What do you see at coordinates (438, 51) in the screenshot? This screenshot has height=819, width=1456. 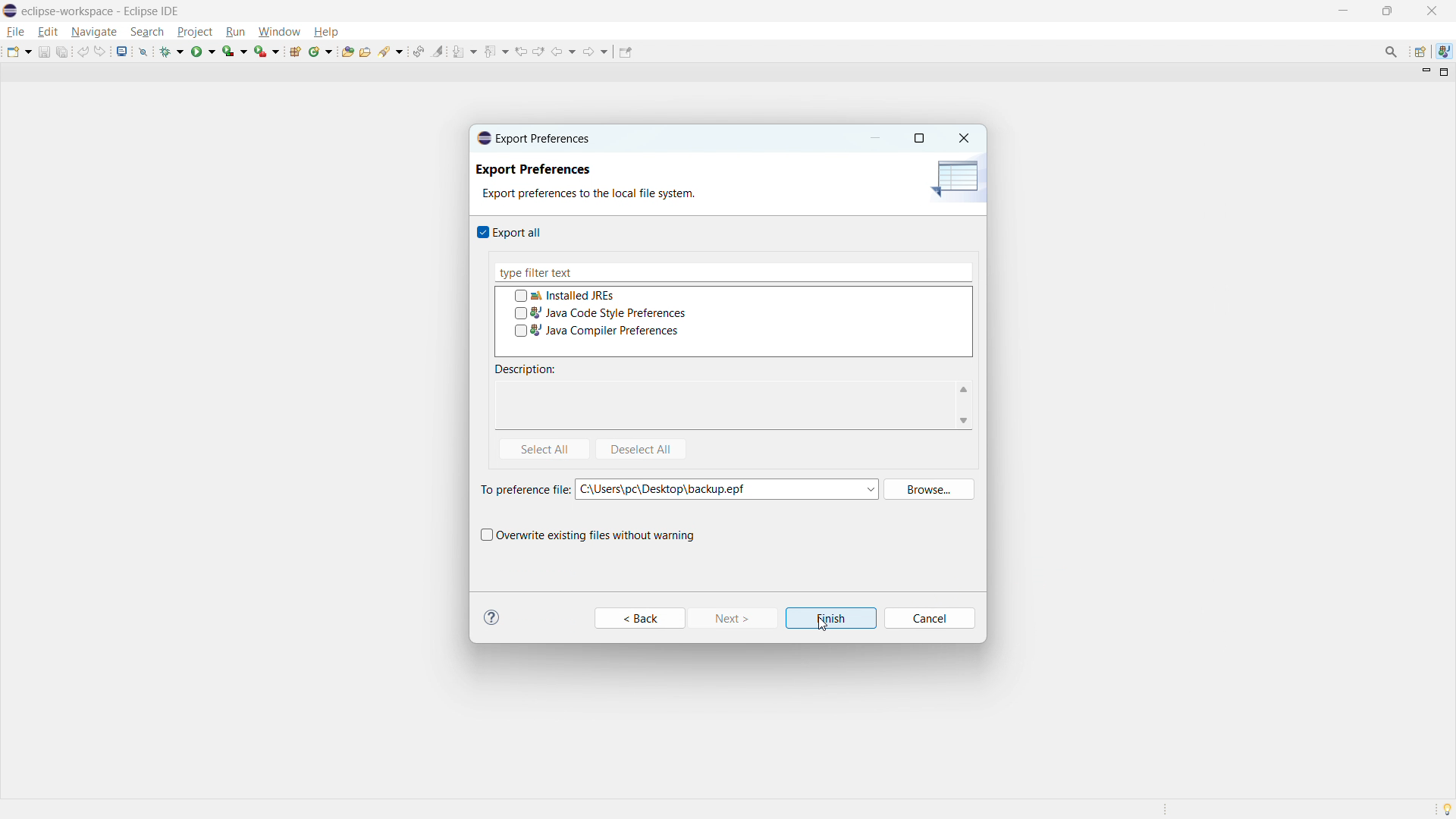 I see `toggle ant mark occurances` at bounding box center [438, 51].